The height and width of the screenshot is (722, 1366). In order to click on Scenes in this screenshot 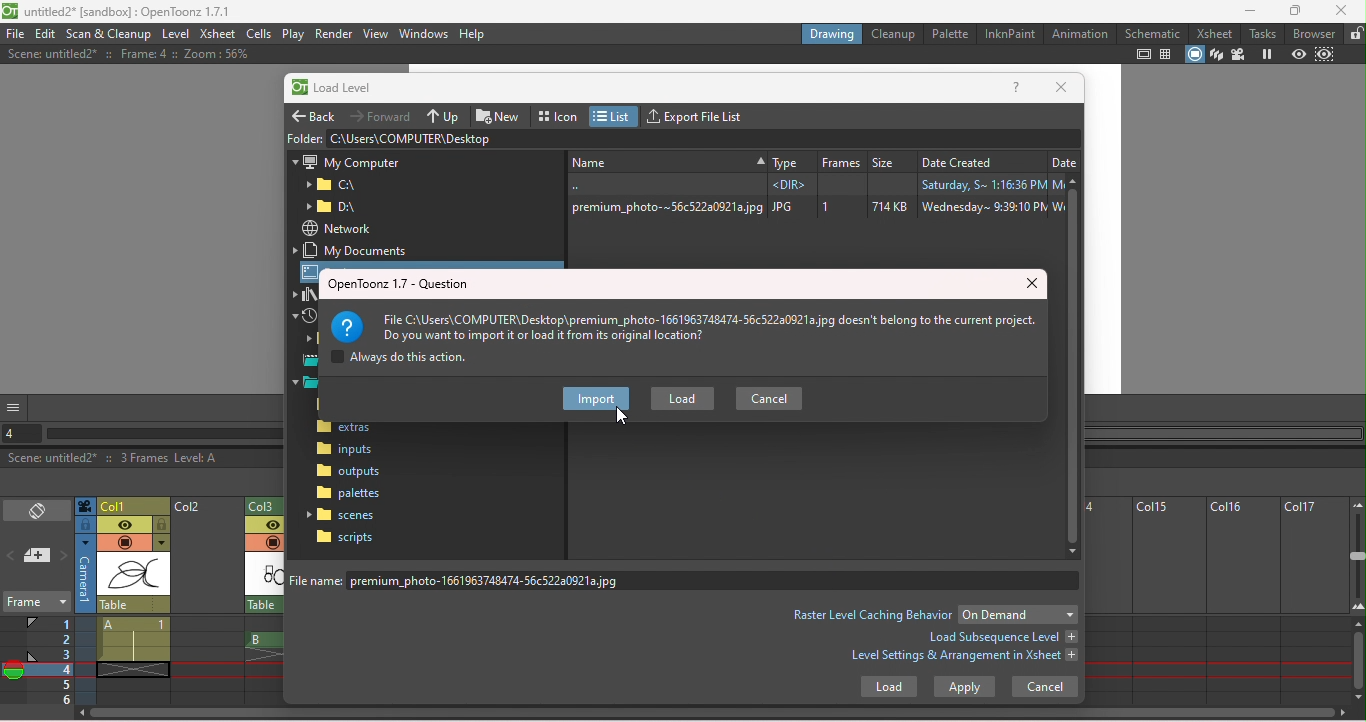, I will do `click(345, 514)`.